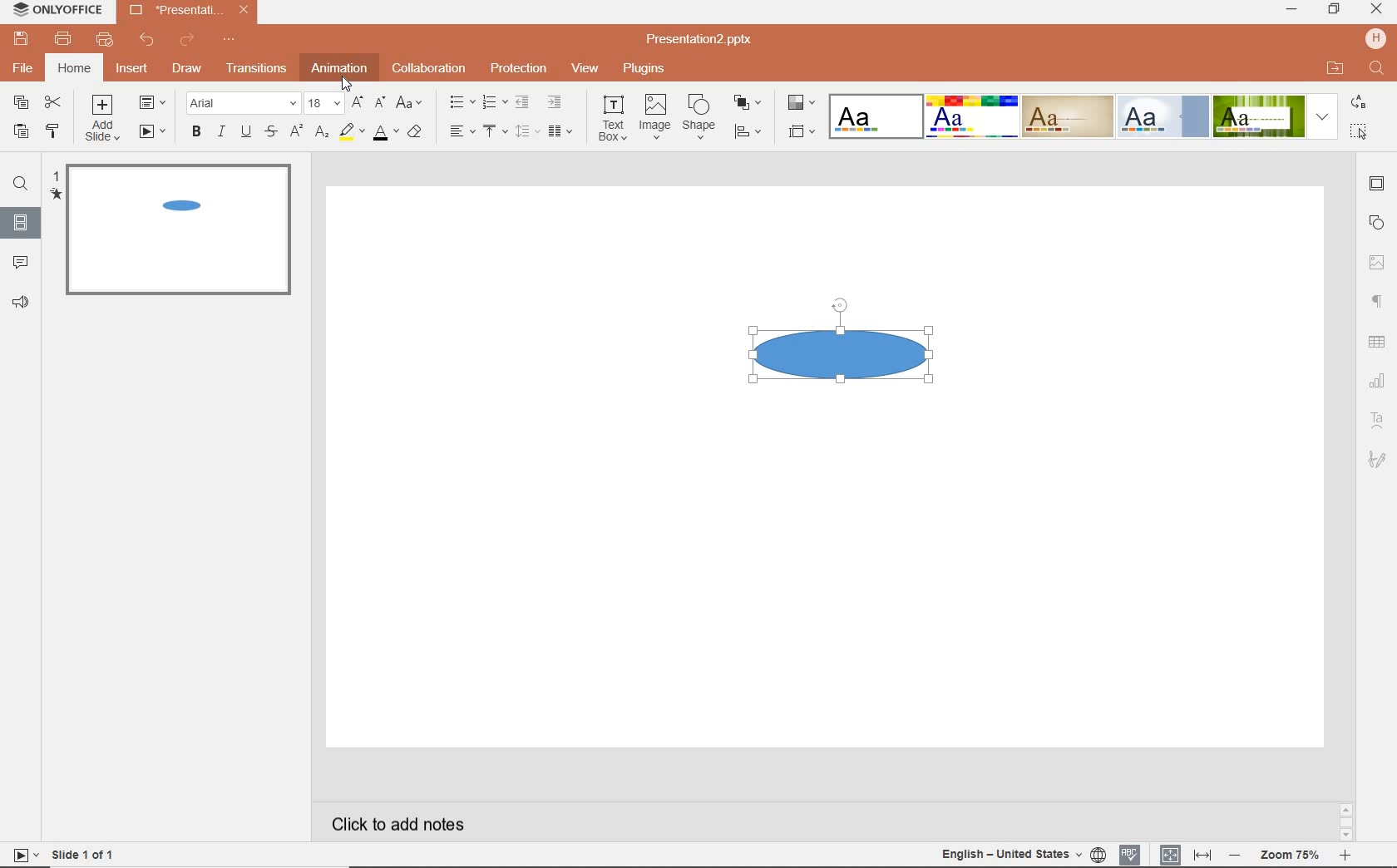 The image size is (1397, 868). Describe the element at coordinates (20, 303) in the screenshot. I see `FEEDBACK & SUPPORT` at that location.